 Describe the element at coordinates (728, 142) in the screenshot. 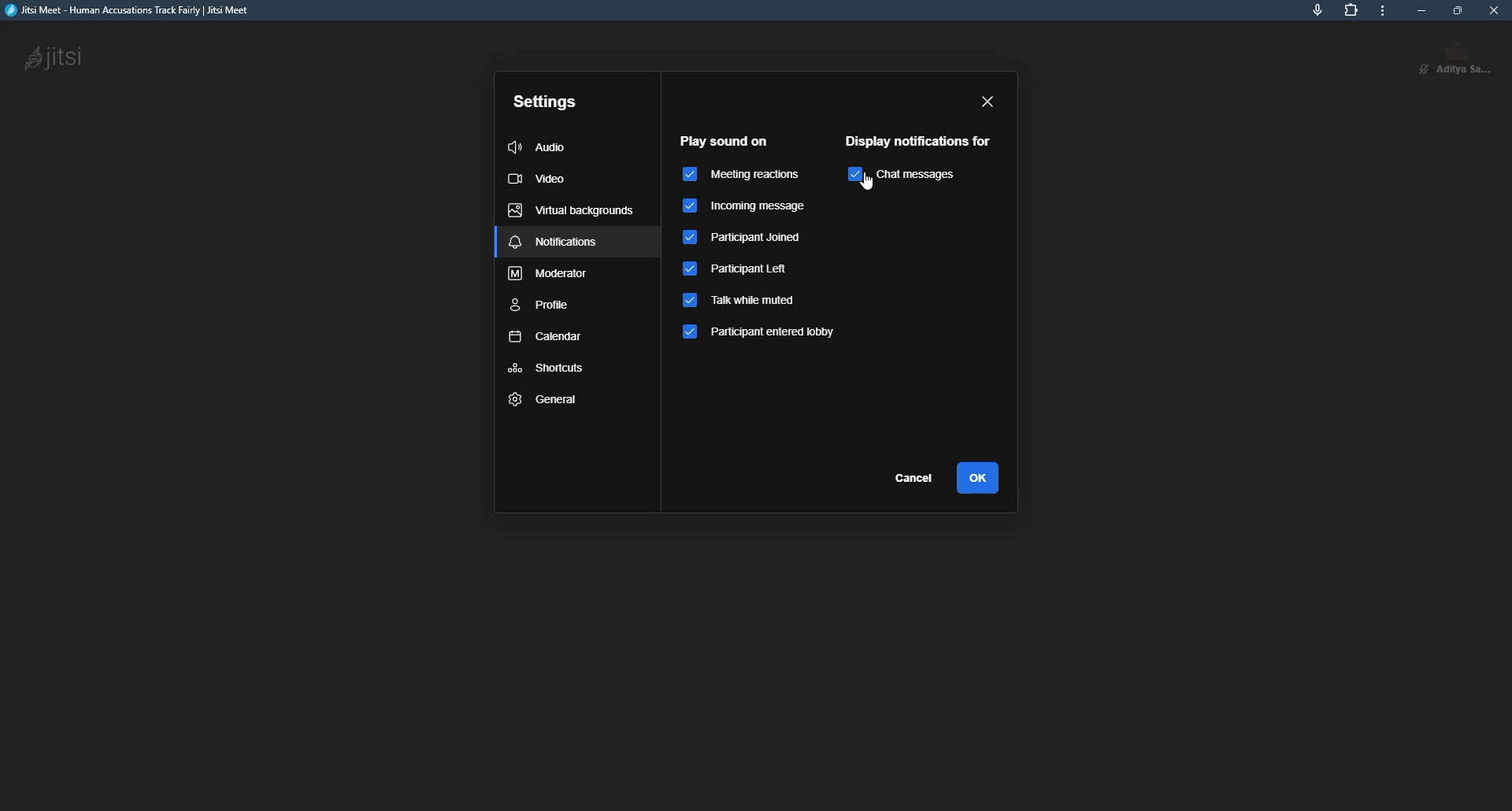

I see `play sound on` at that location.